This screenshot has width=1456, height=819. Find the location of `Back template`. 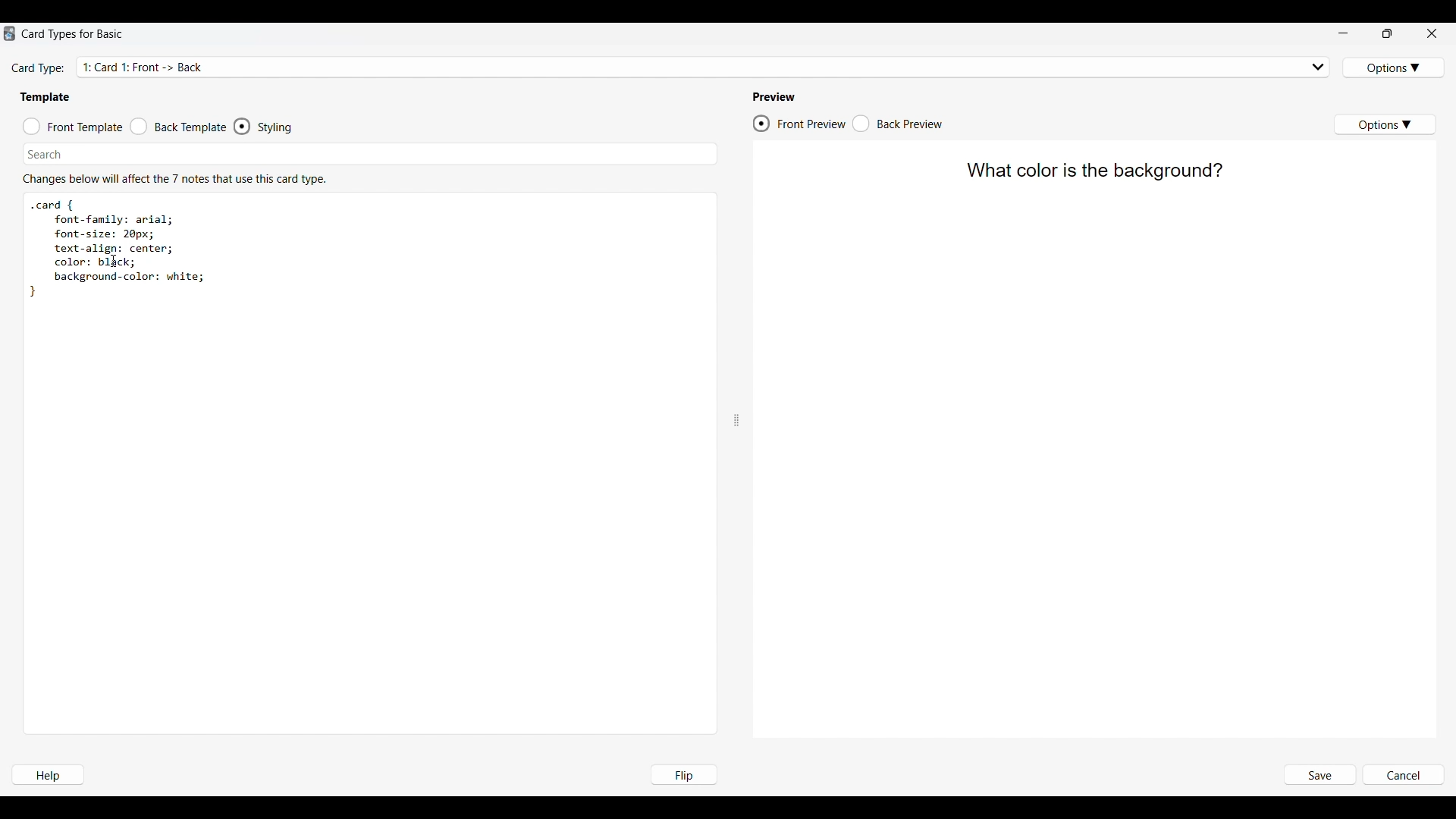

Back template is located at coordinates (178, 127).